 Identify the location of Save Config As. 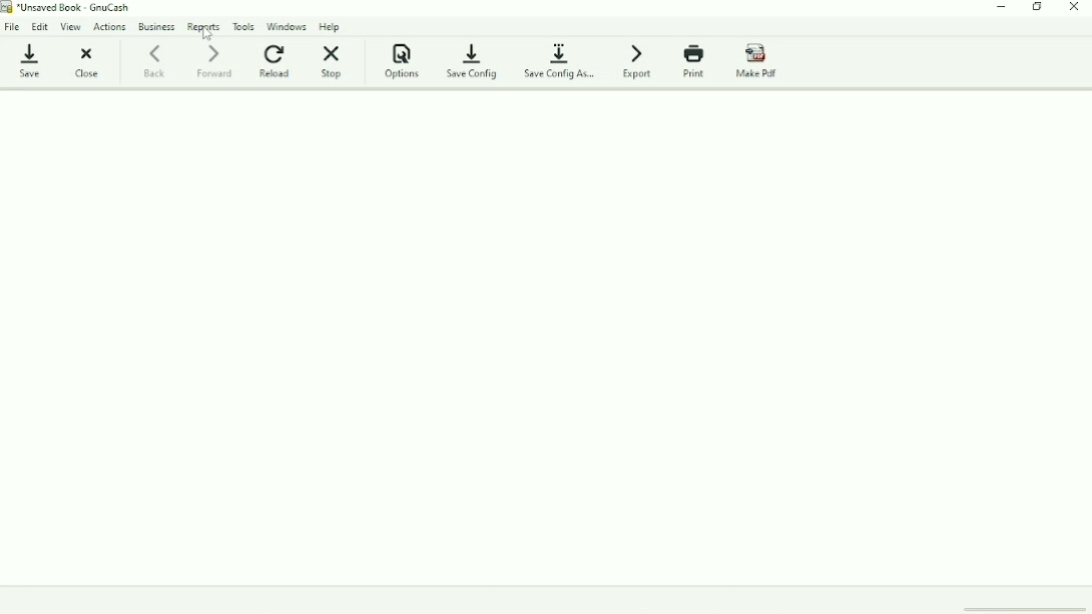
(562, 60).